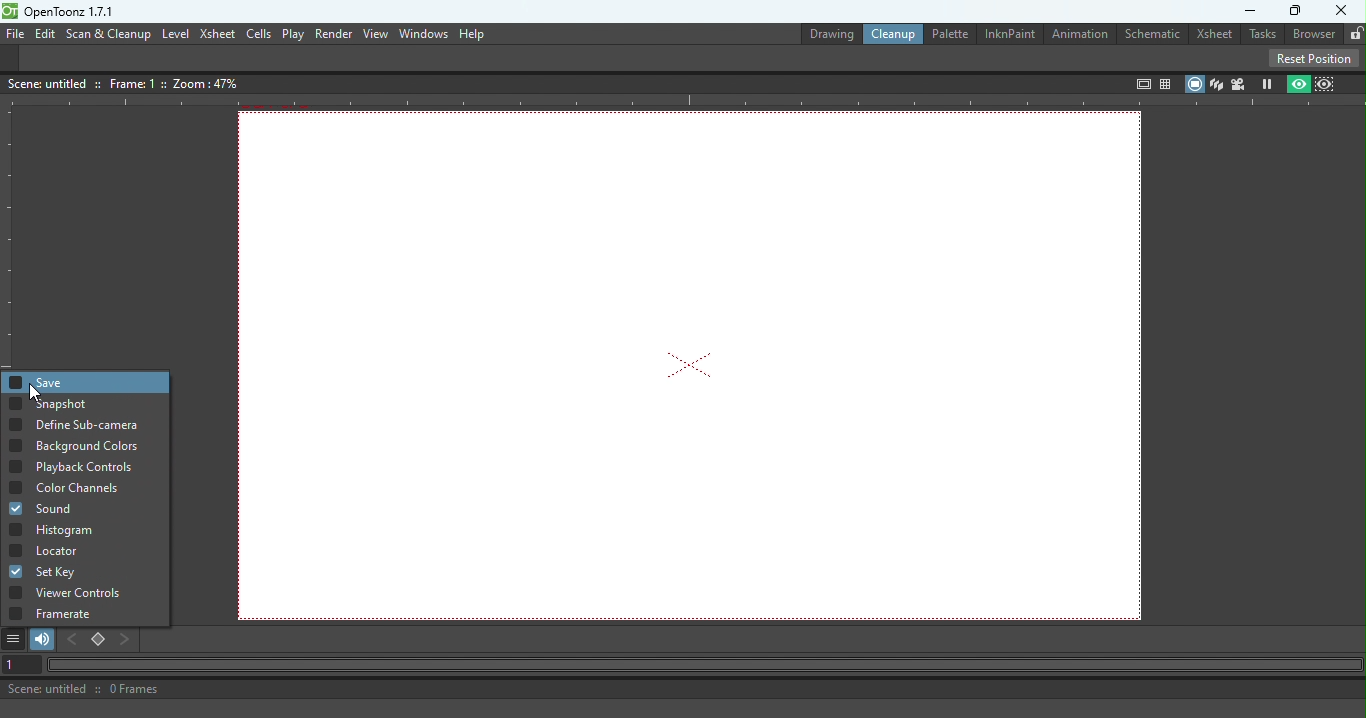  I want to click on InknPaint, so click(1013, 33).